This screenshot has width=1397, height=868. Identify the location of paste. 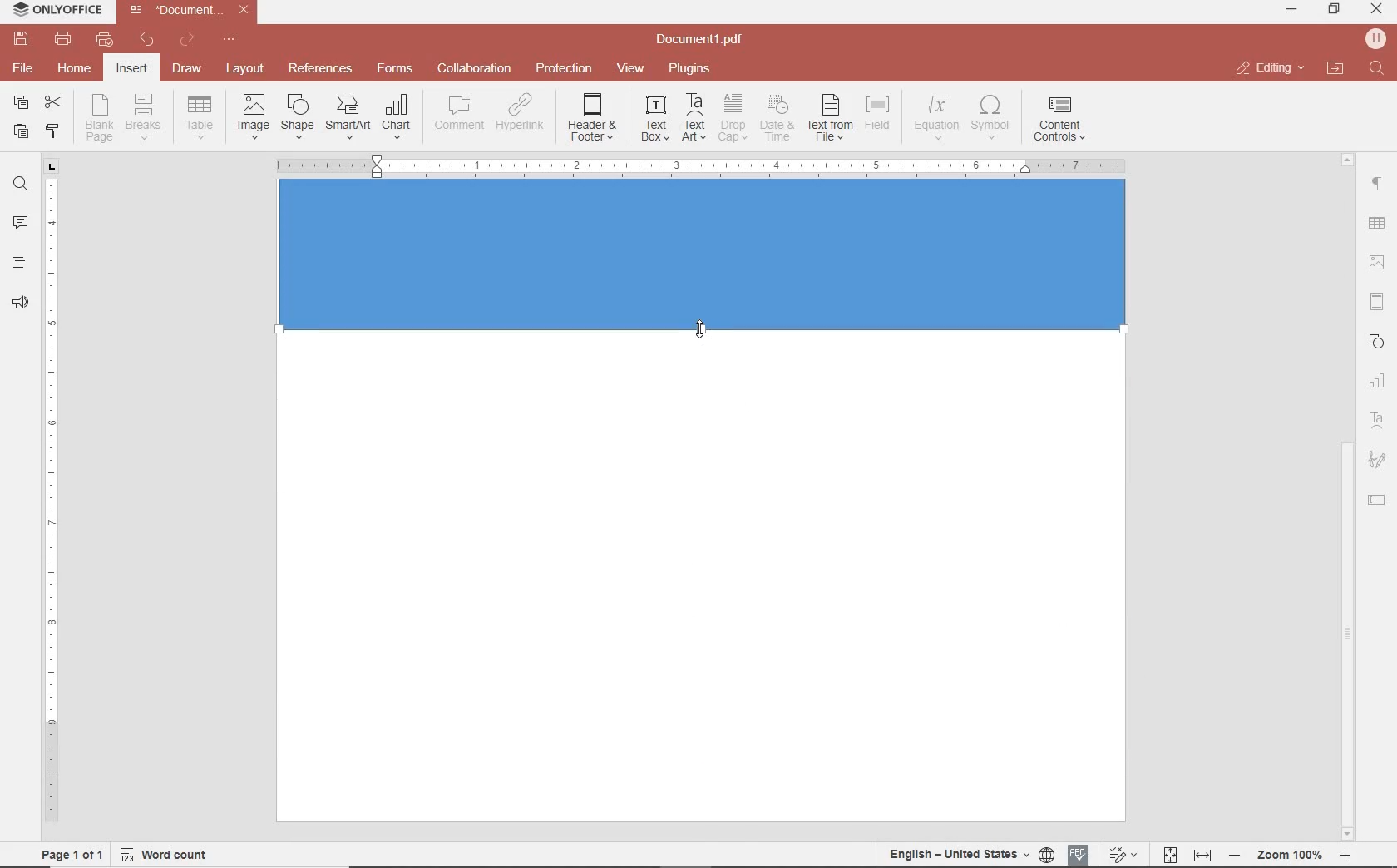
(19, 131).